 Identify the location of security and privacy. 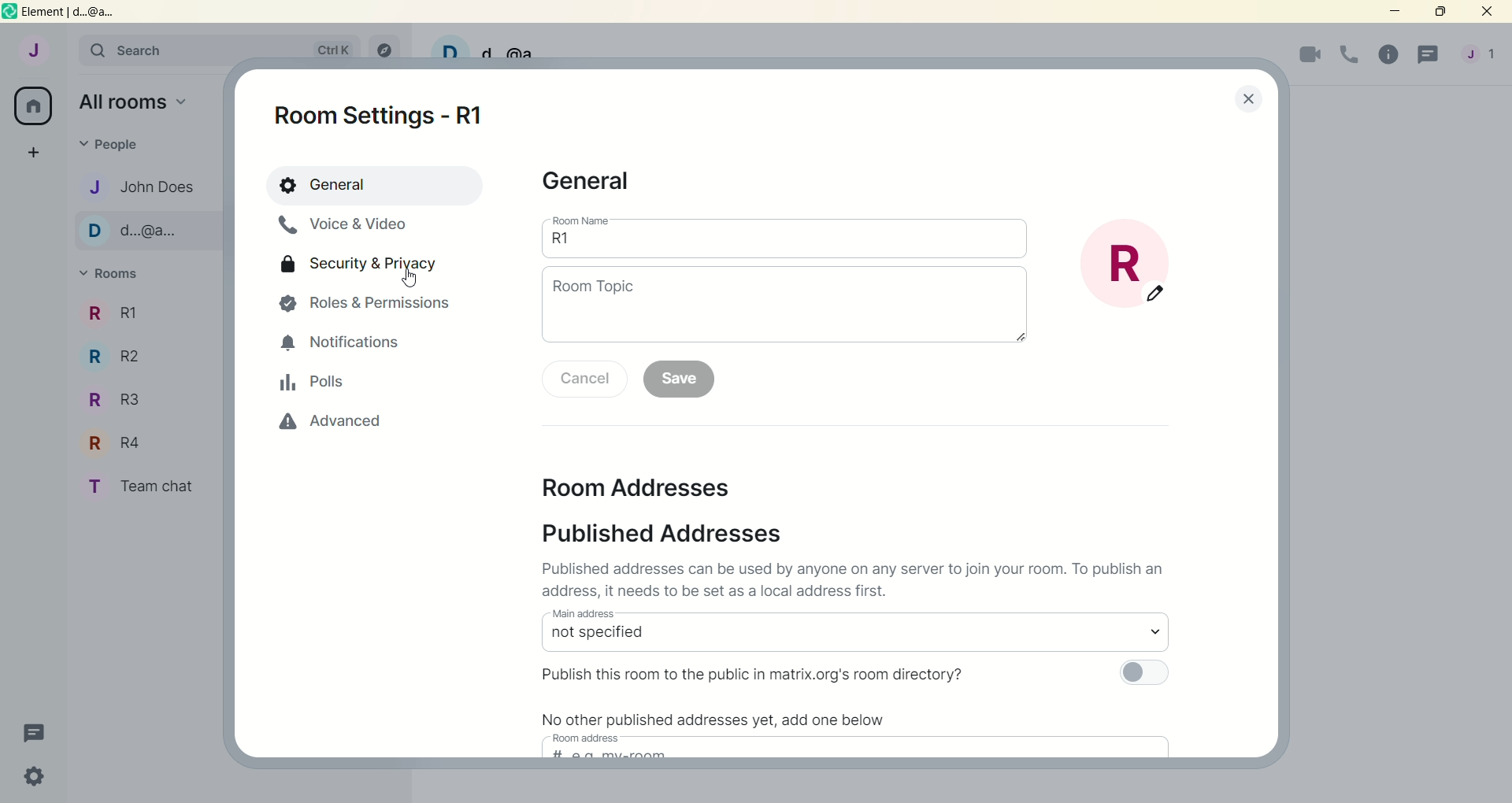
(363, 267).